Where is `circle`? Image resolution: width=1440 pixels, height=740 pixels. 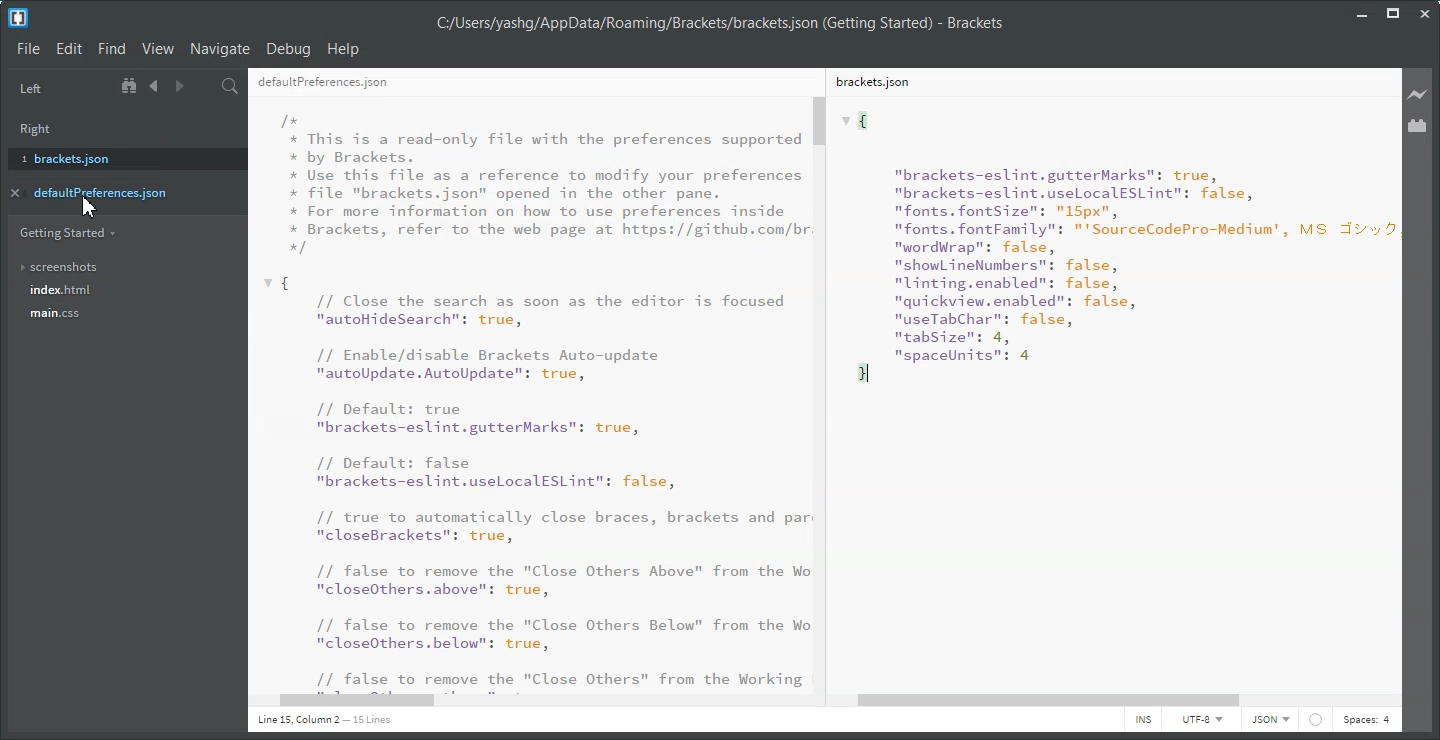 circle is located at coordinates (1320, 722).